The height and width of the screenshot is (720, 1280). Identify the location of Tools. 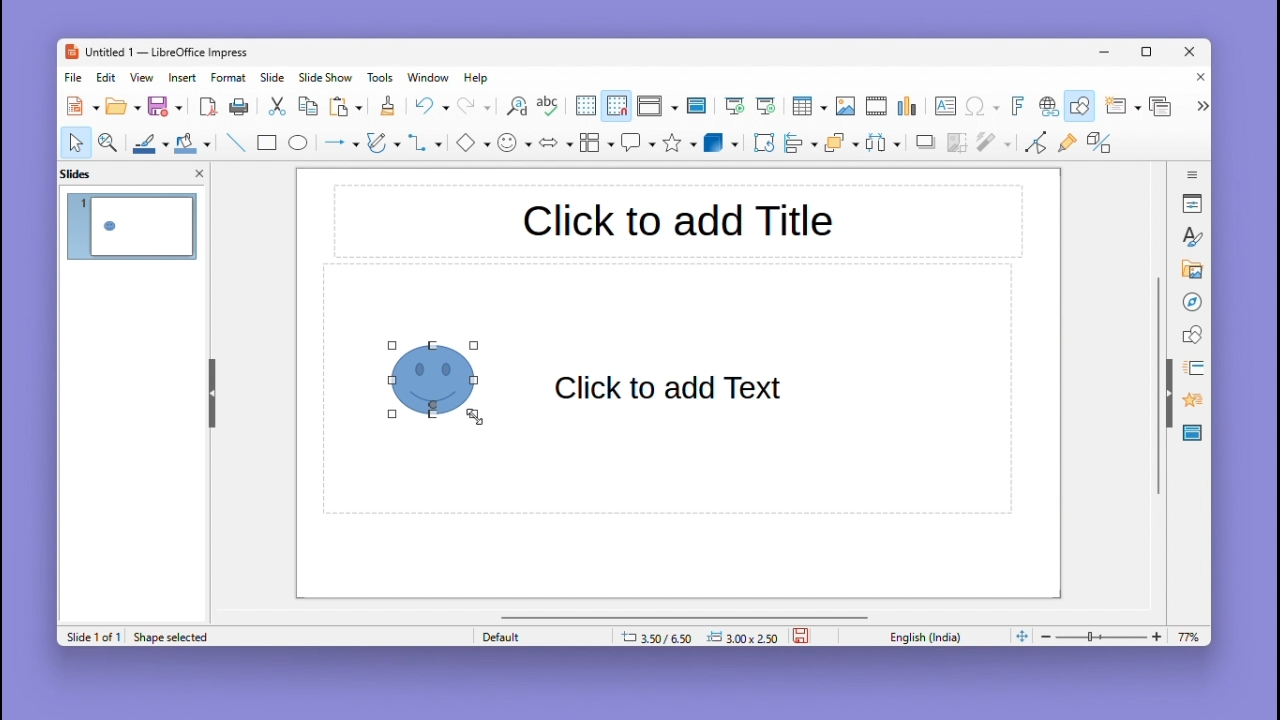
(383, 77).